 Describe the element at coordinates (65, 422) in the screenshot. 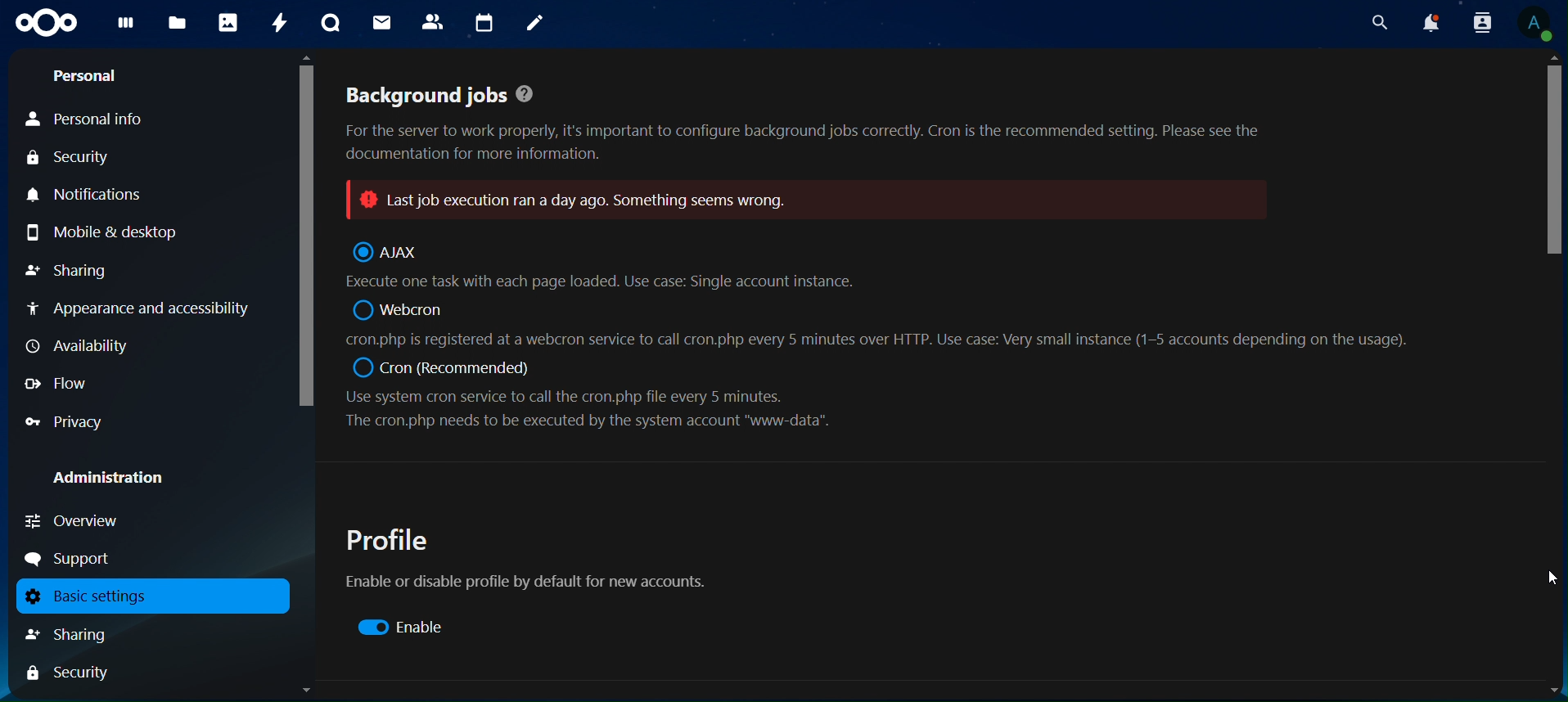

I see `privacy` at that location.